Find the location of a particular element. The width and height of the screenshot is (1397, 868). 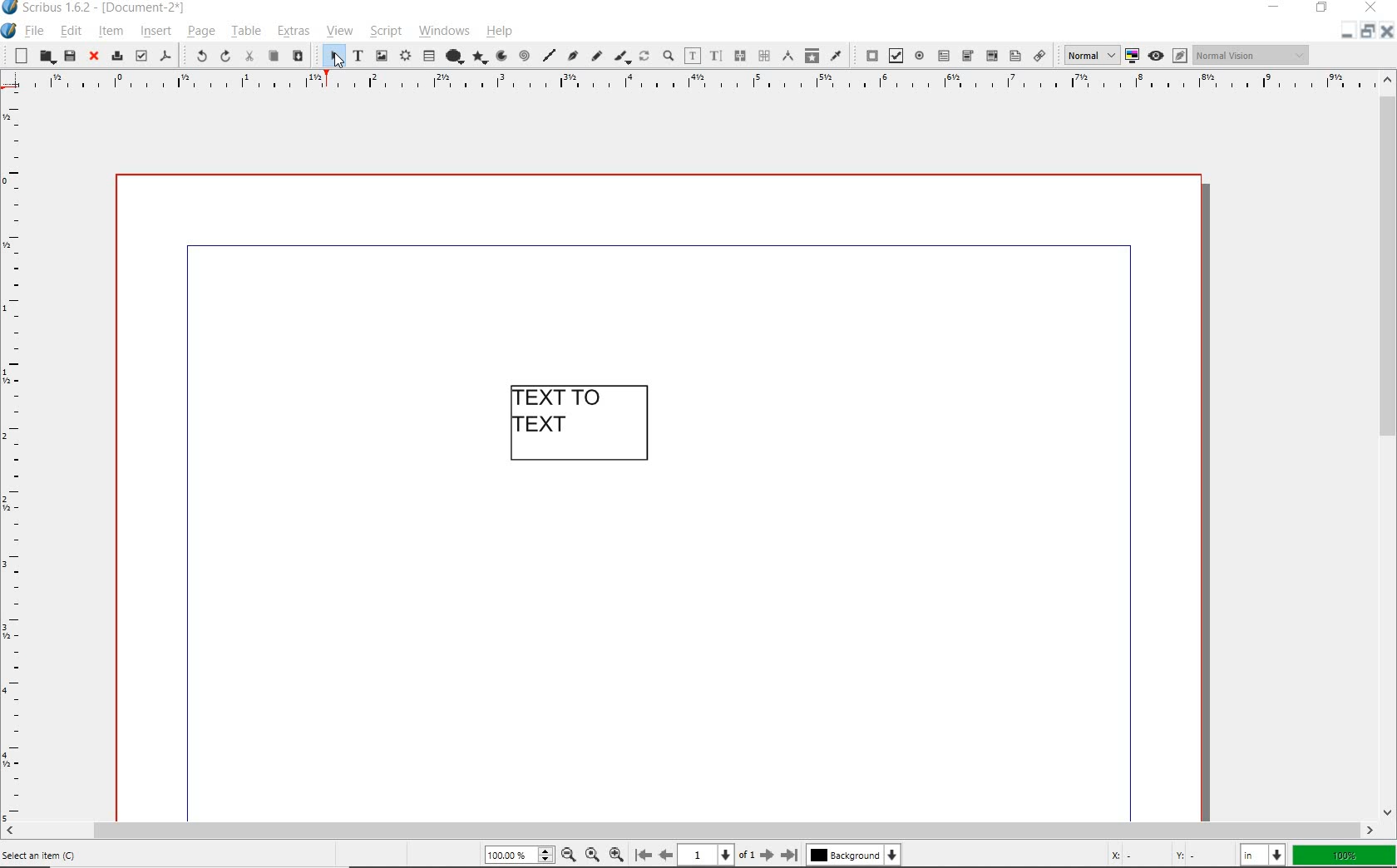

freehand line is located at coordinates (597, 55).